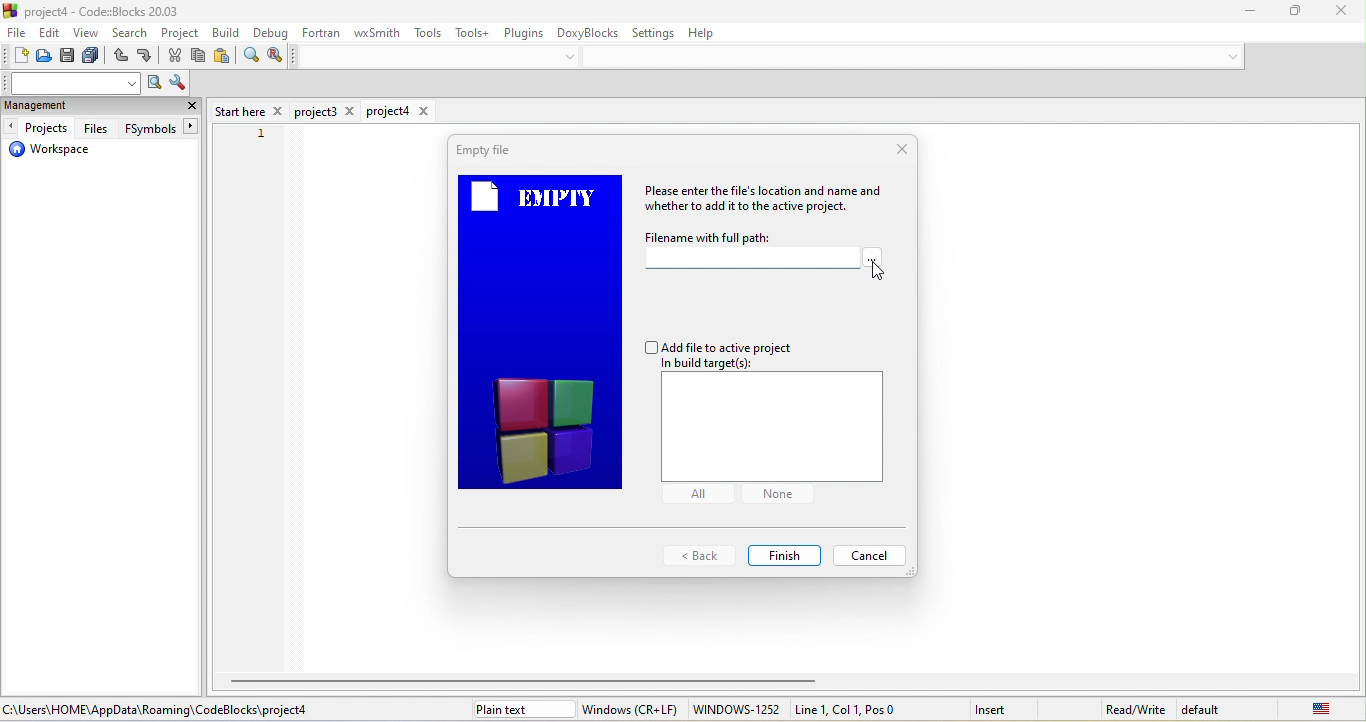 The height and width of the screenshot is (722, 1366). Describe the element at coordinates (176, 57) in the screenshot. I see `cut` at that location.